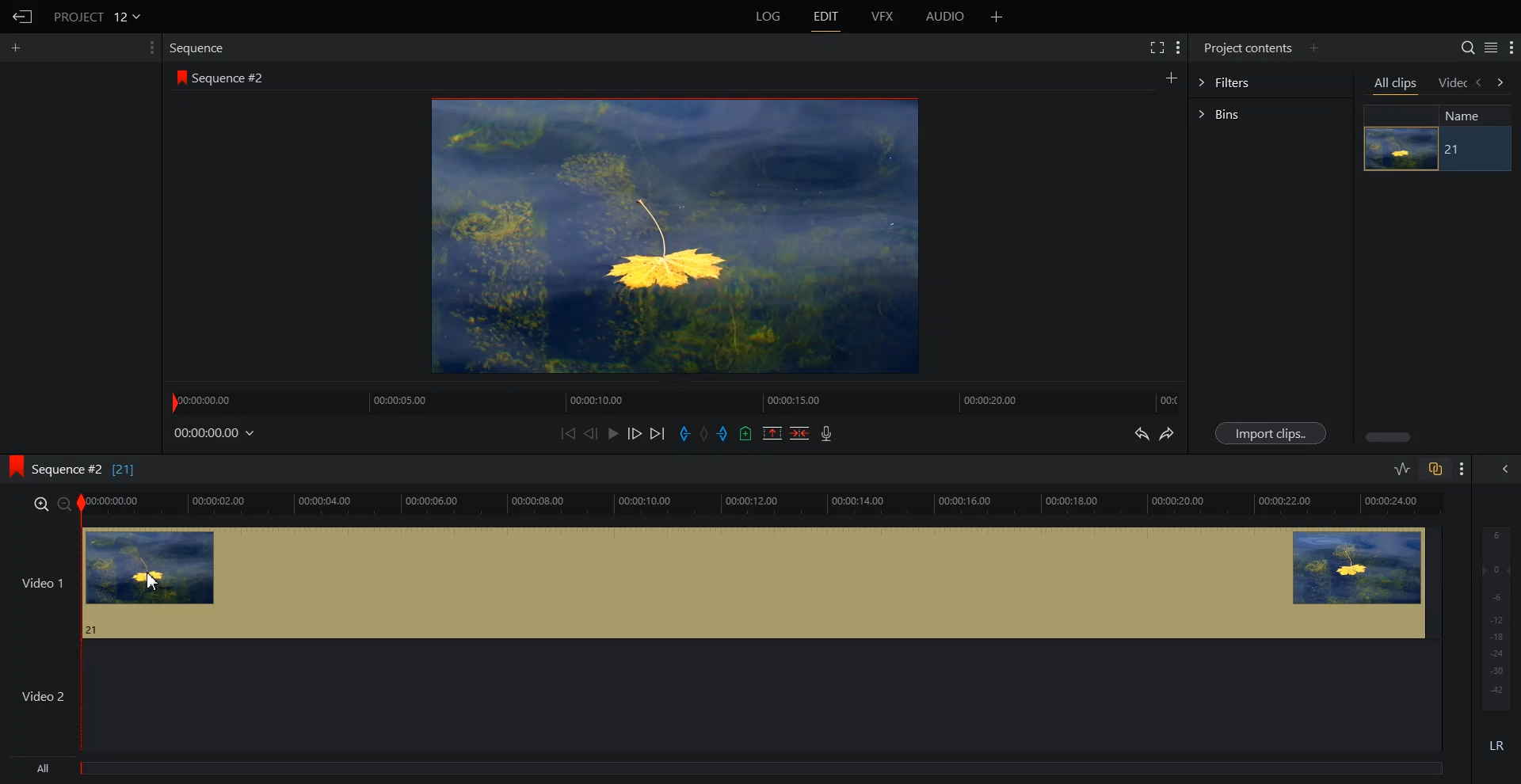  What do you see at coordinates (1468, 47) in the screenshot?
I see `Search` at bounding box center [1468, 47].